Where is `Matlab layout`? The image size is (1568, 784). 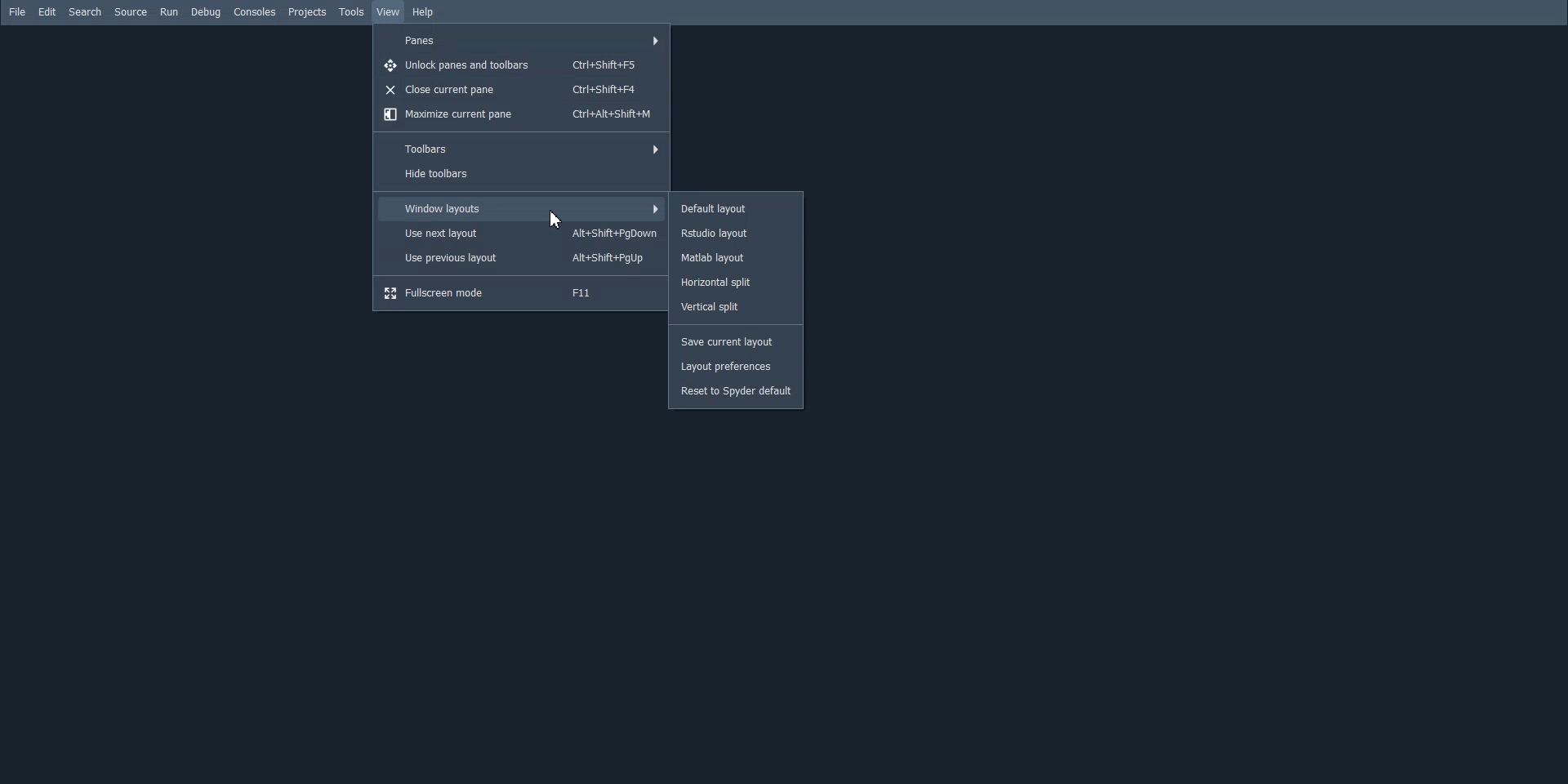
Matlab layout is located at coordinates (736, 257).